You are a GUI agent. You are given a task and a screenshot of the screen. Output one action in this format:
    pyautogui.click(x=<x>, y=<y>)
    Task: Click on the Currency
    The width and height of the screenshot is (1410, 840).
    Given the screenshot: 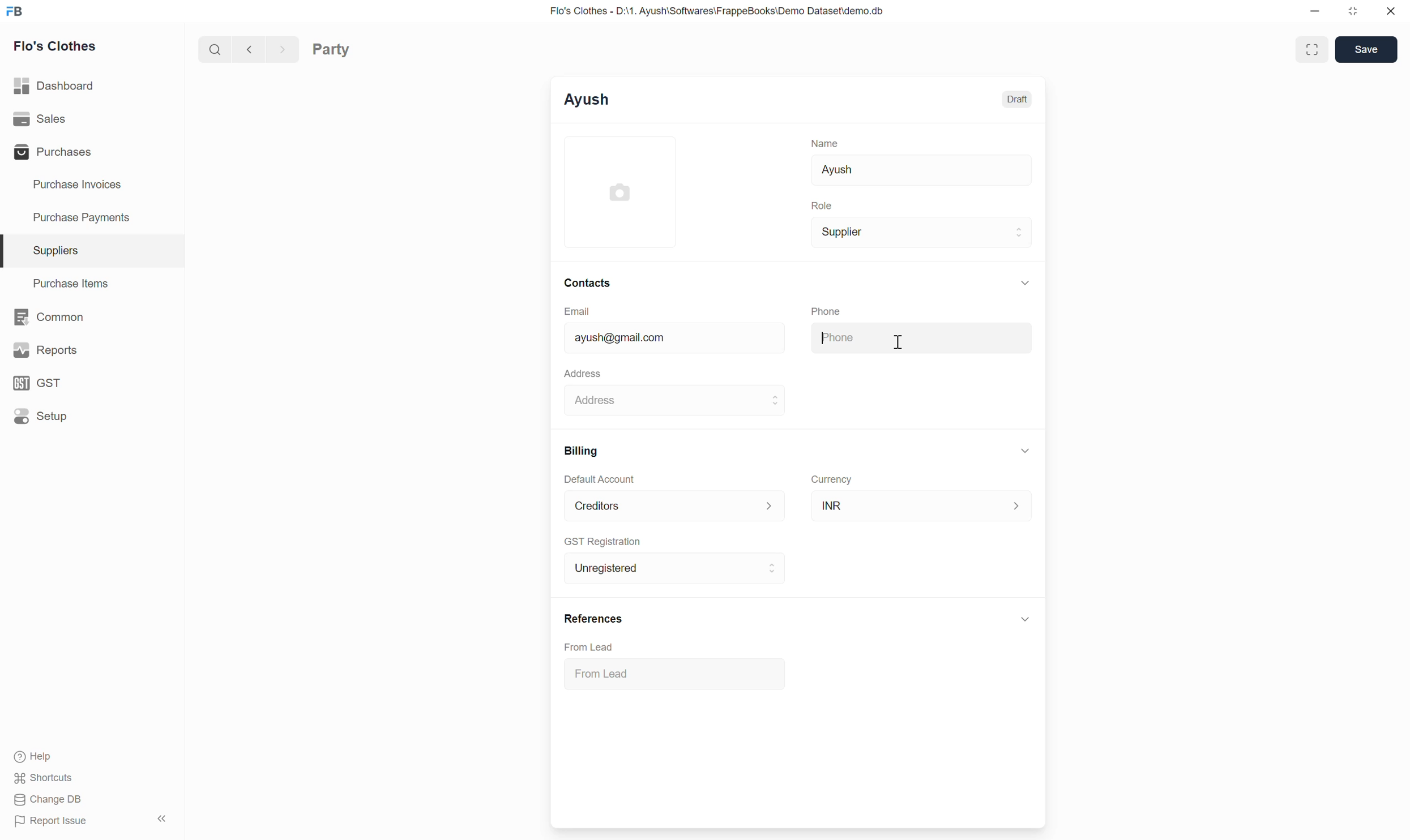 What is the action you would take?
    pyautogui.click(x=832, y=480)
    